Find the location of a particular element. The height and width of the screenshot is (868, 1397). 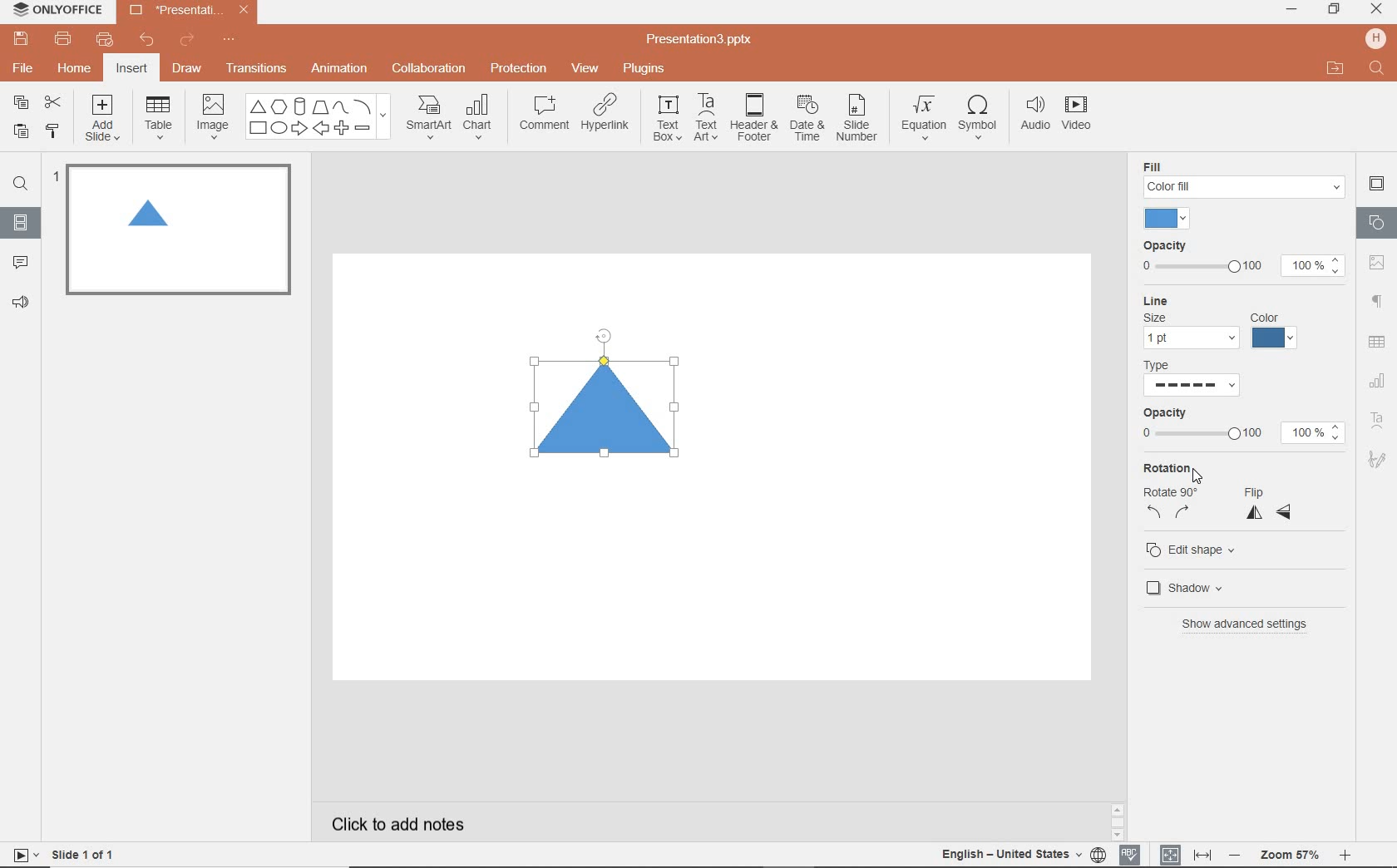

ZOOM level is located at coordinates (1291, 856).